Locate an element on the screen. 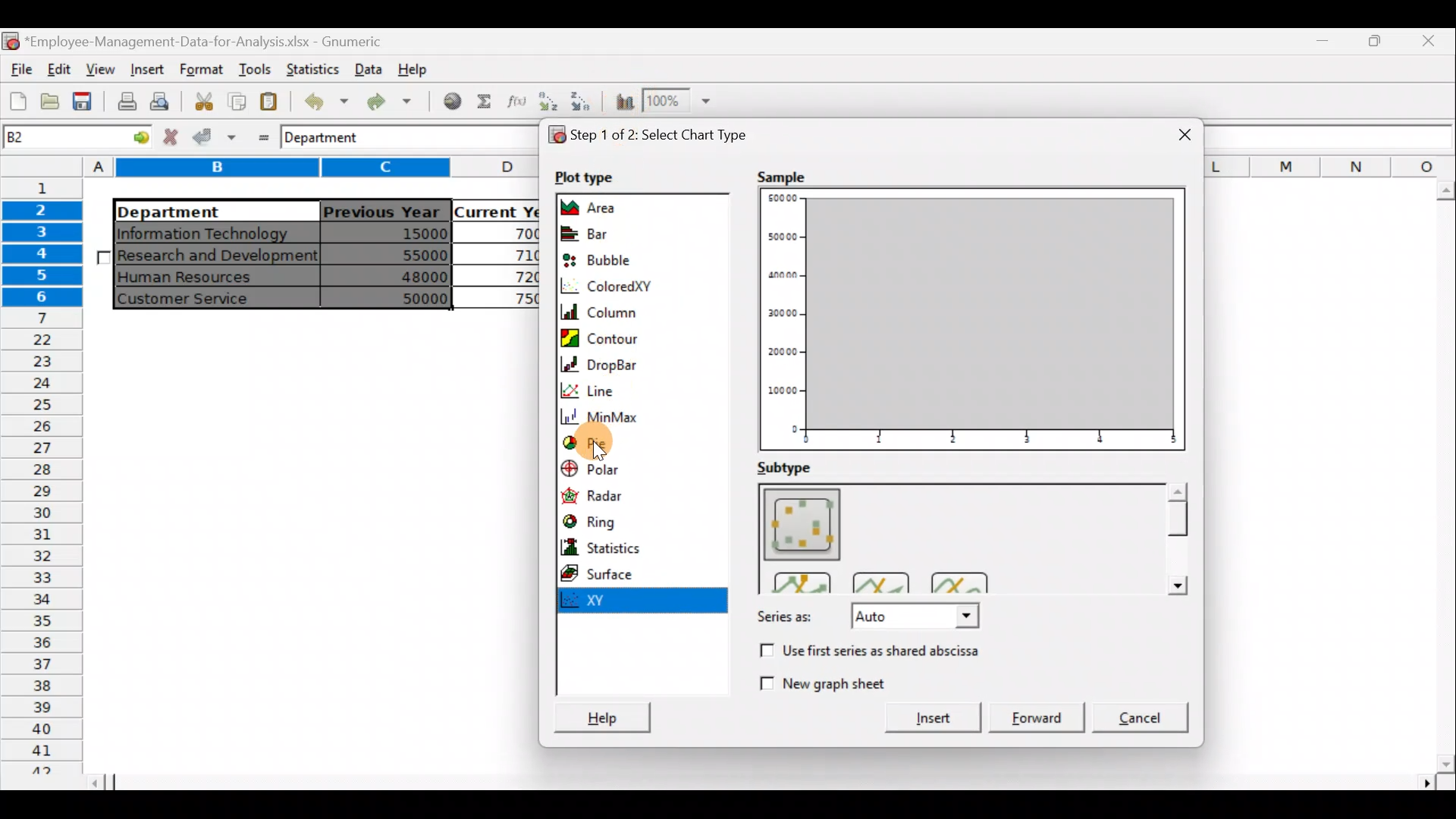 The height and width of the screenshot is (819, 1456). Plot type is located at coordinates (588, 177).